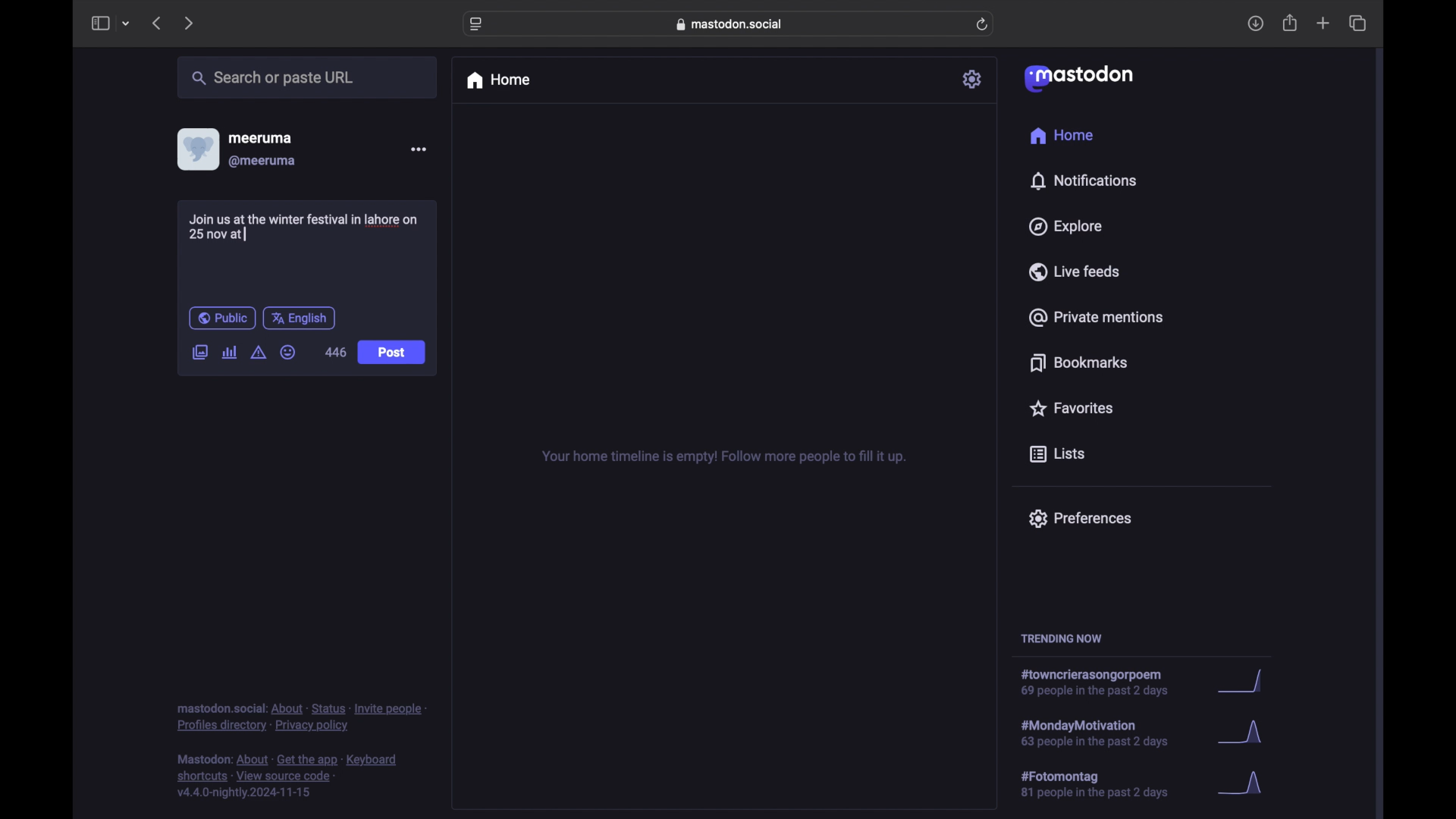  Describe the element at coordinates (272, 78) in the screenshot. I see `search or paste url` at that location.